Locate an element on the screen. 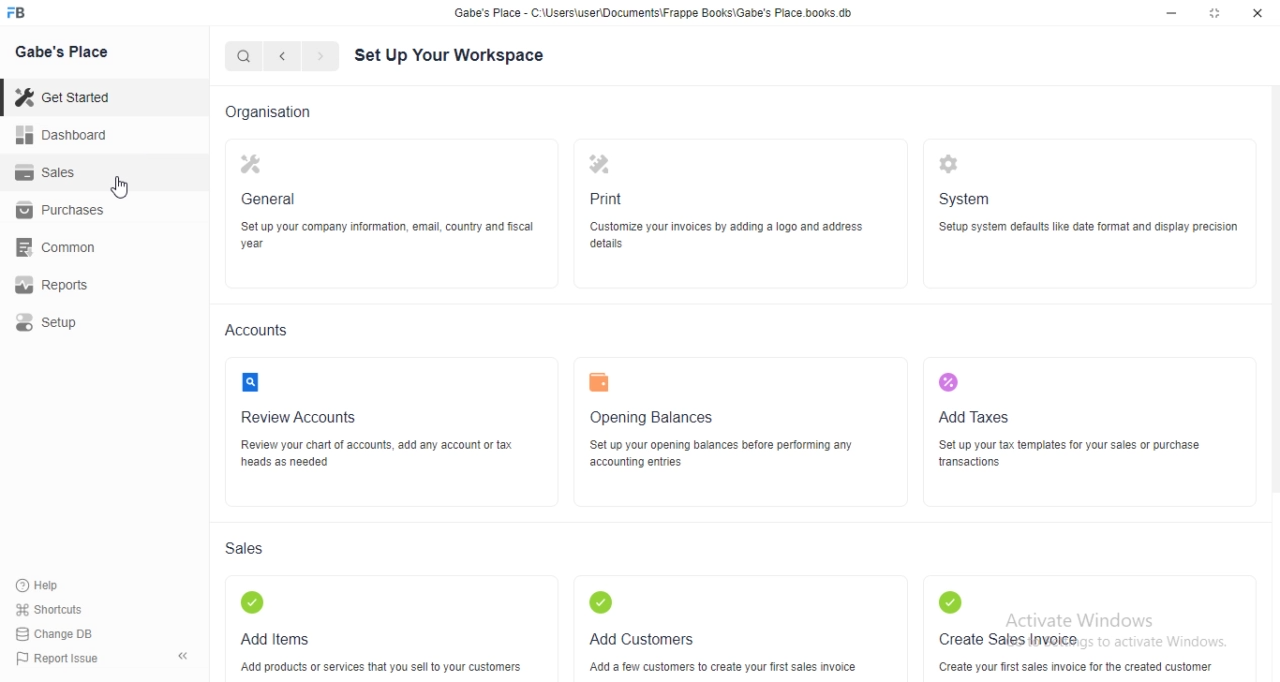  General is located at coordinates (272, 176).